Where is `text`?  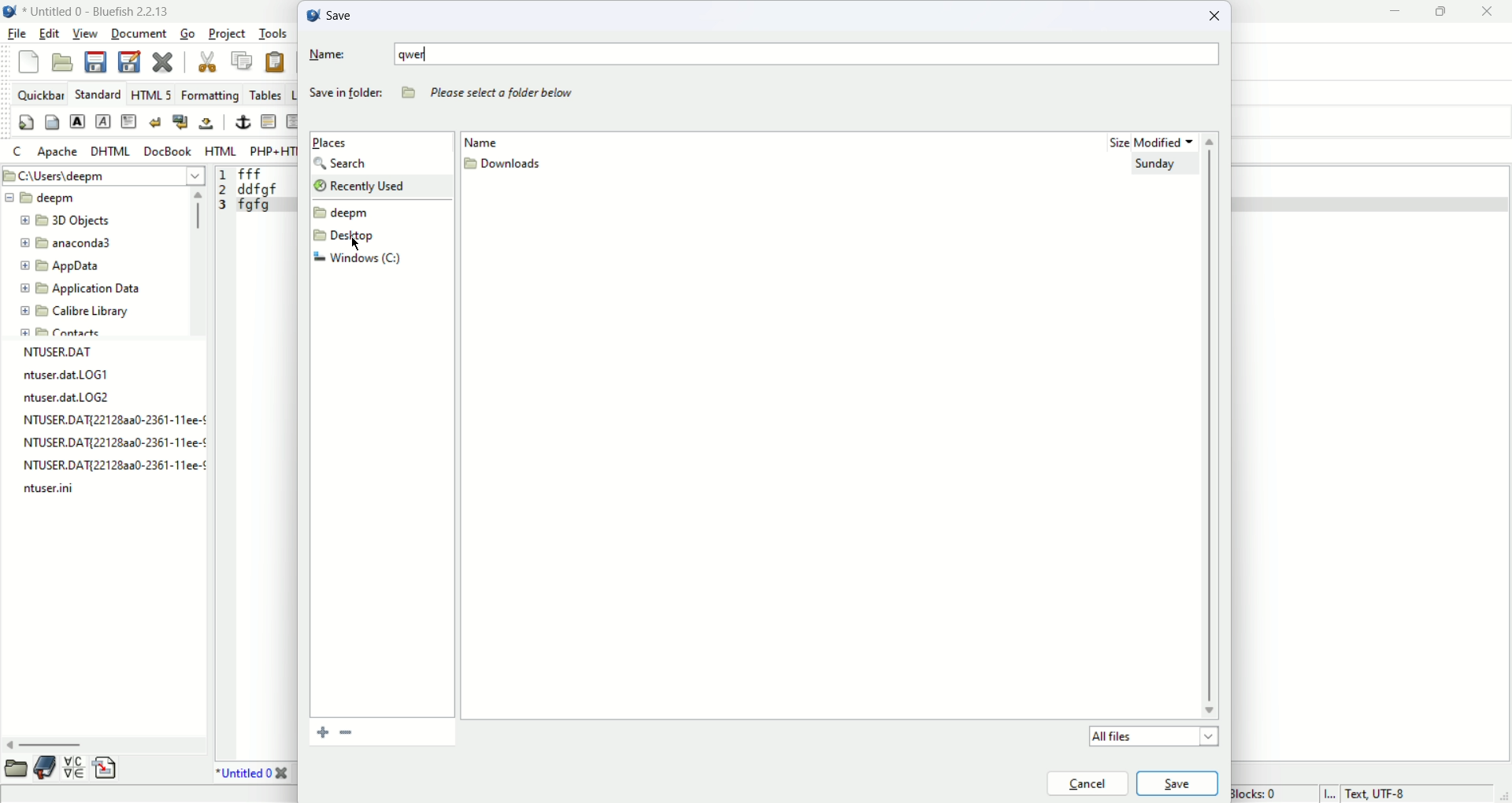 text is located at coordinates (494, 93).